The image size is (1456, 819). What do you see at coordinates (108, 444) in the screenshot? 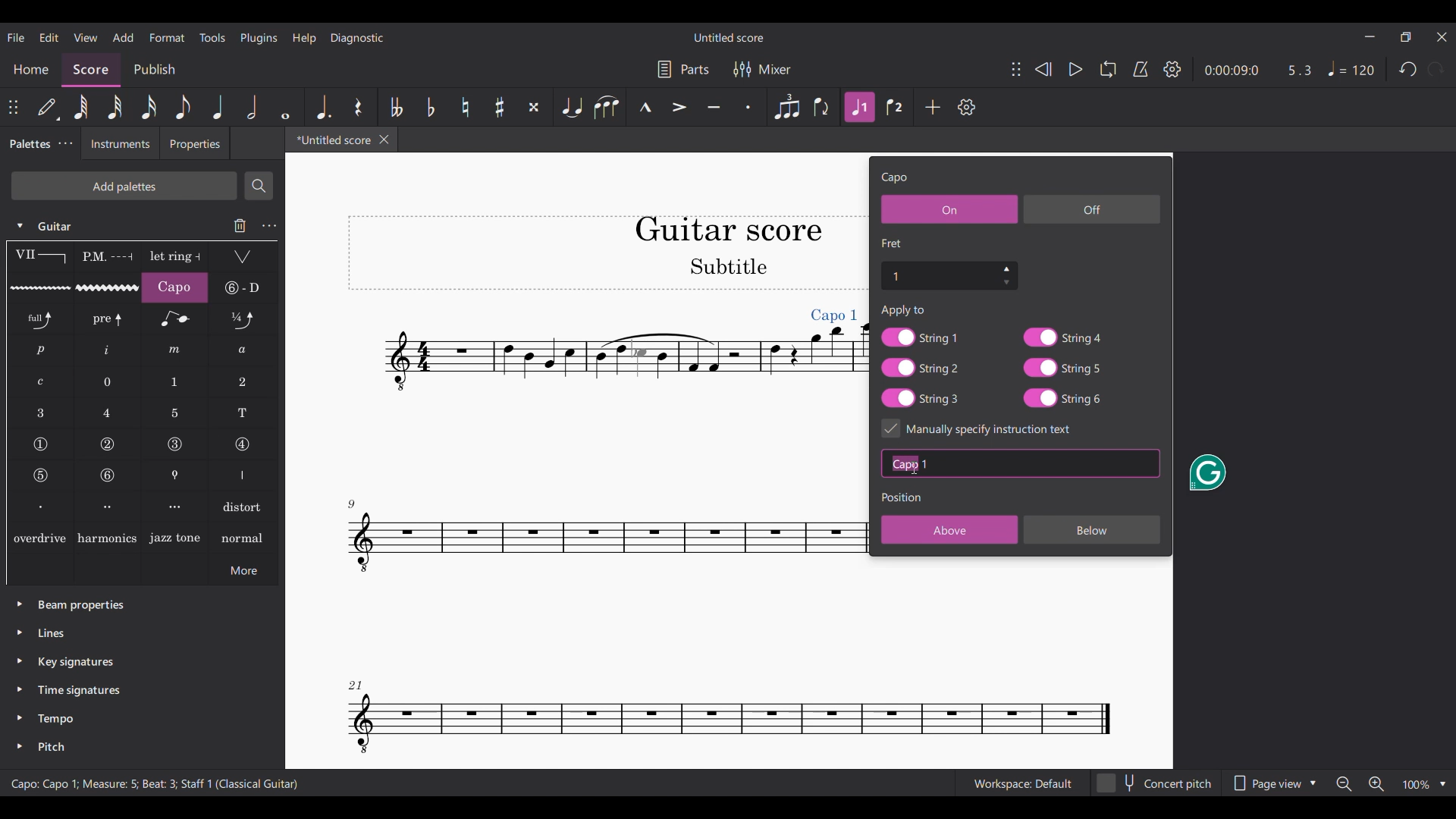
I see `String number 2` at bounding box center [108, 444].